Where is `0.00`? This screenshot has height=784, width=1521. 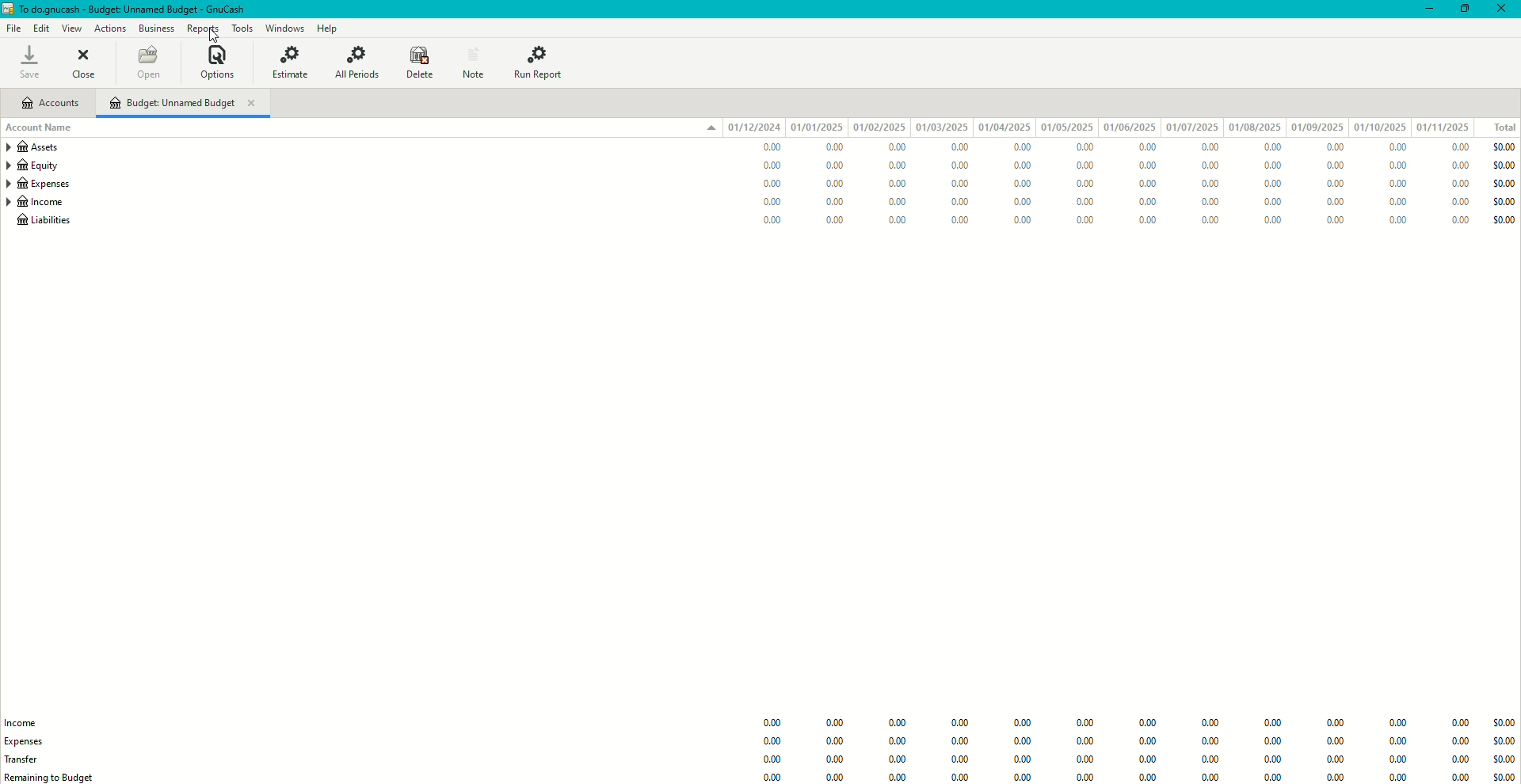 0.00 is located at coordinates (1085, 760).